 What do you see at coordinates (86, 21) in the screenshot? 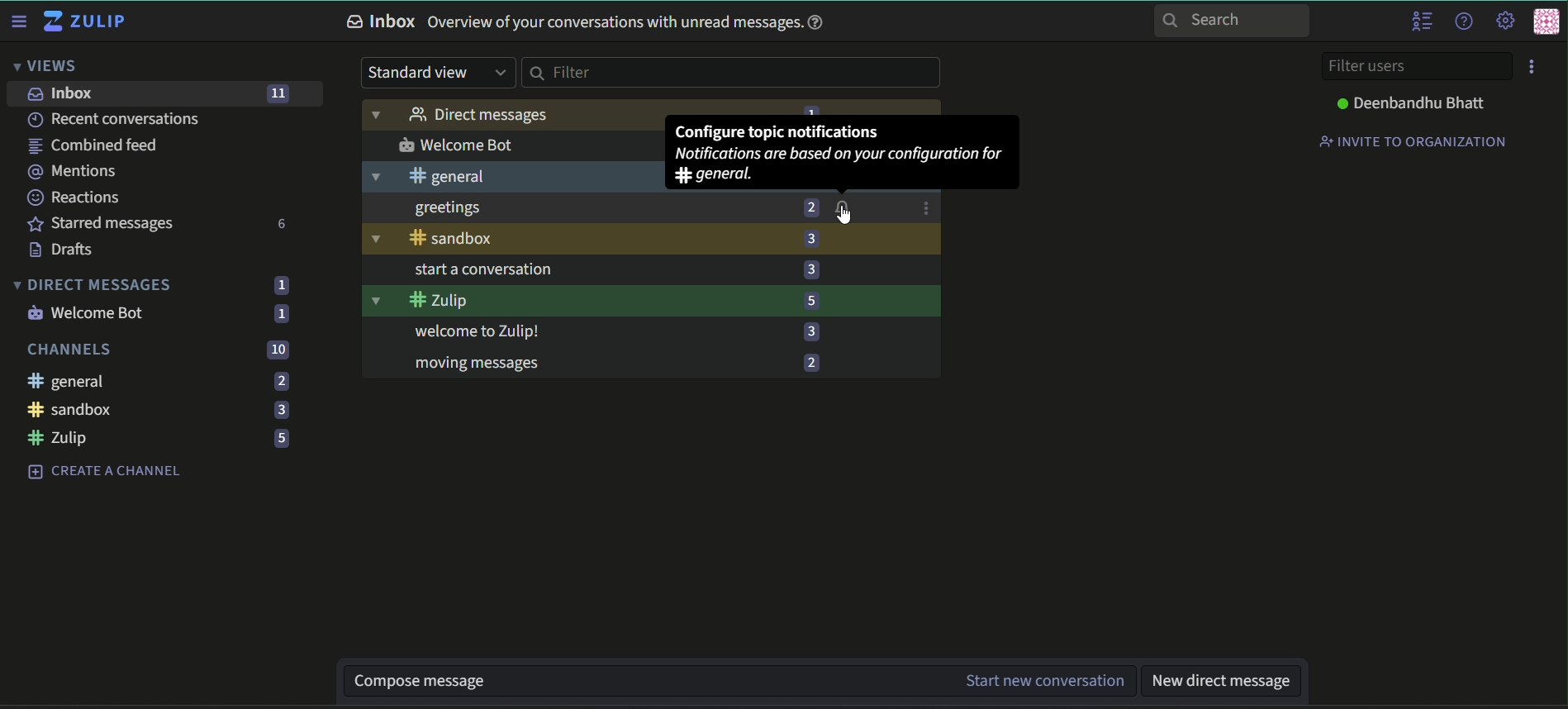
I see `Title and logo` at bounding box center [86, 21].